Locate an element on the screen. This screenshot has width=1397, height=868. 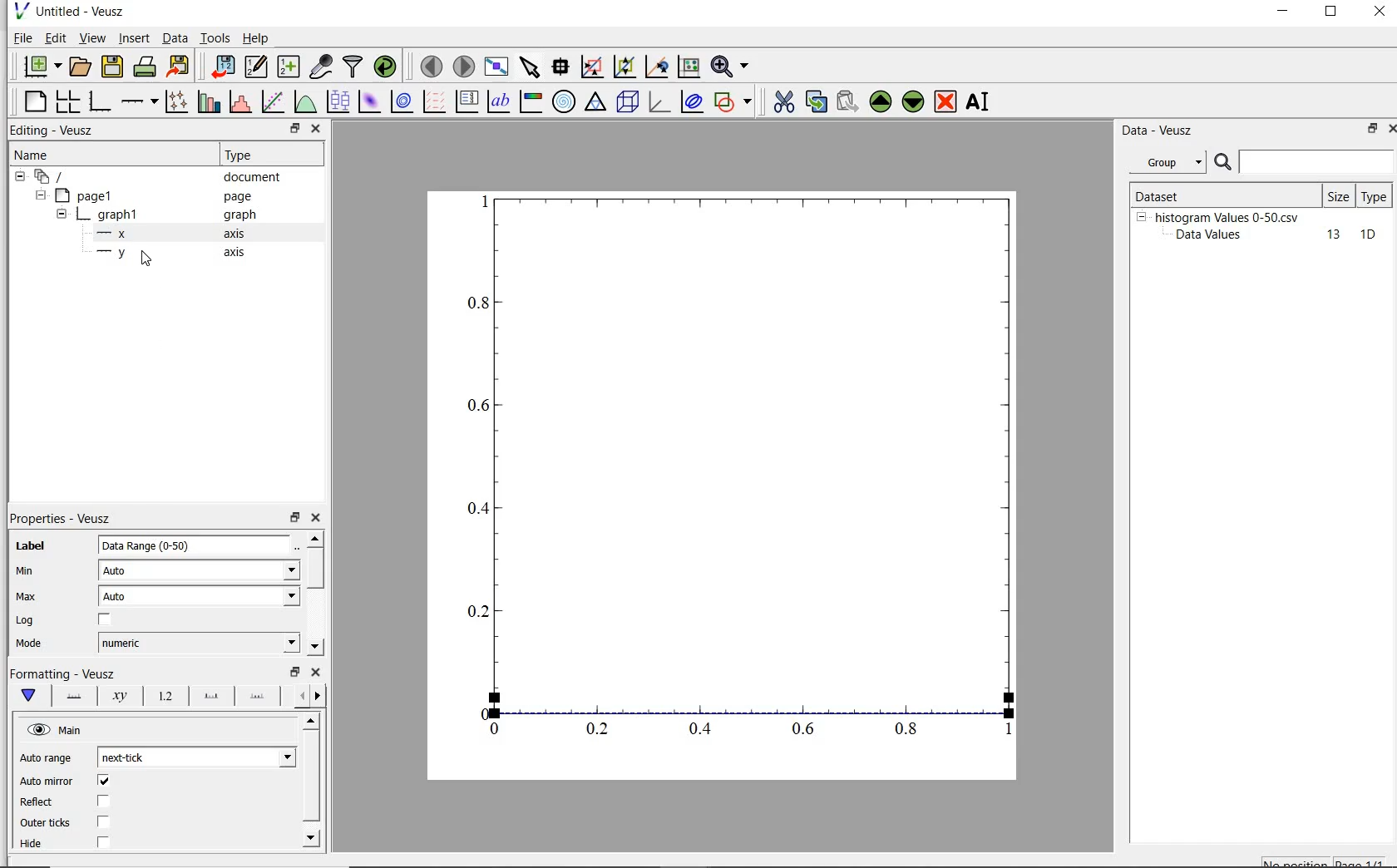
add shape is located at coordinates (733, 103).